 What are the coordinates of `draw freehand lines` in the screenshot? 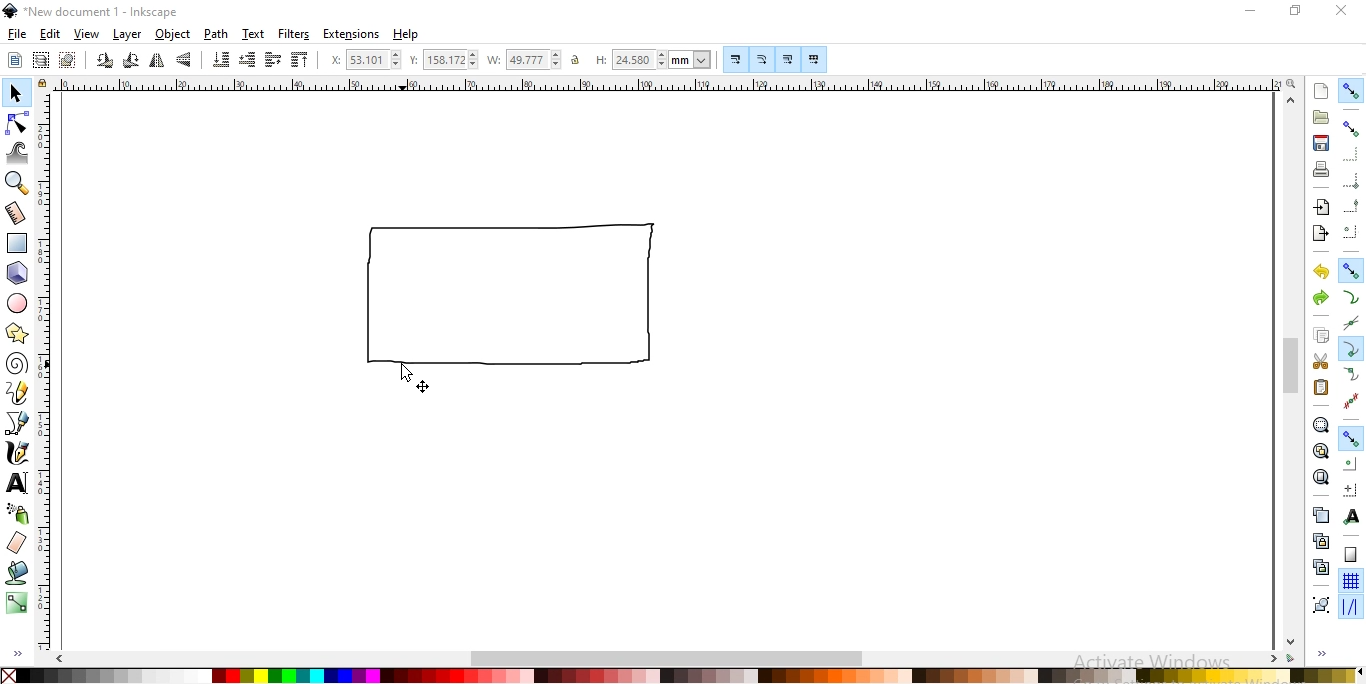 It's located at (20, 393).